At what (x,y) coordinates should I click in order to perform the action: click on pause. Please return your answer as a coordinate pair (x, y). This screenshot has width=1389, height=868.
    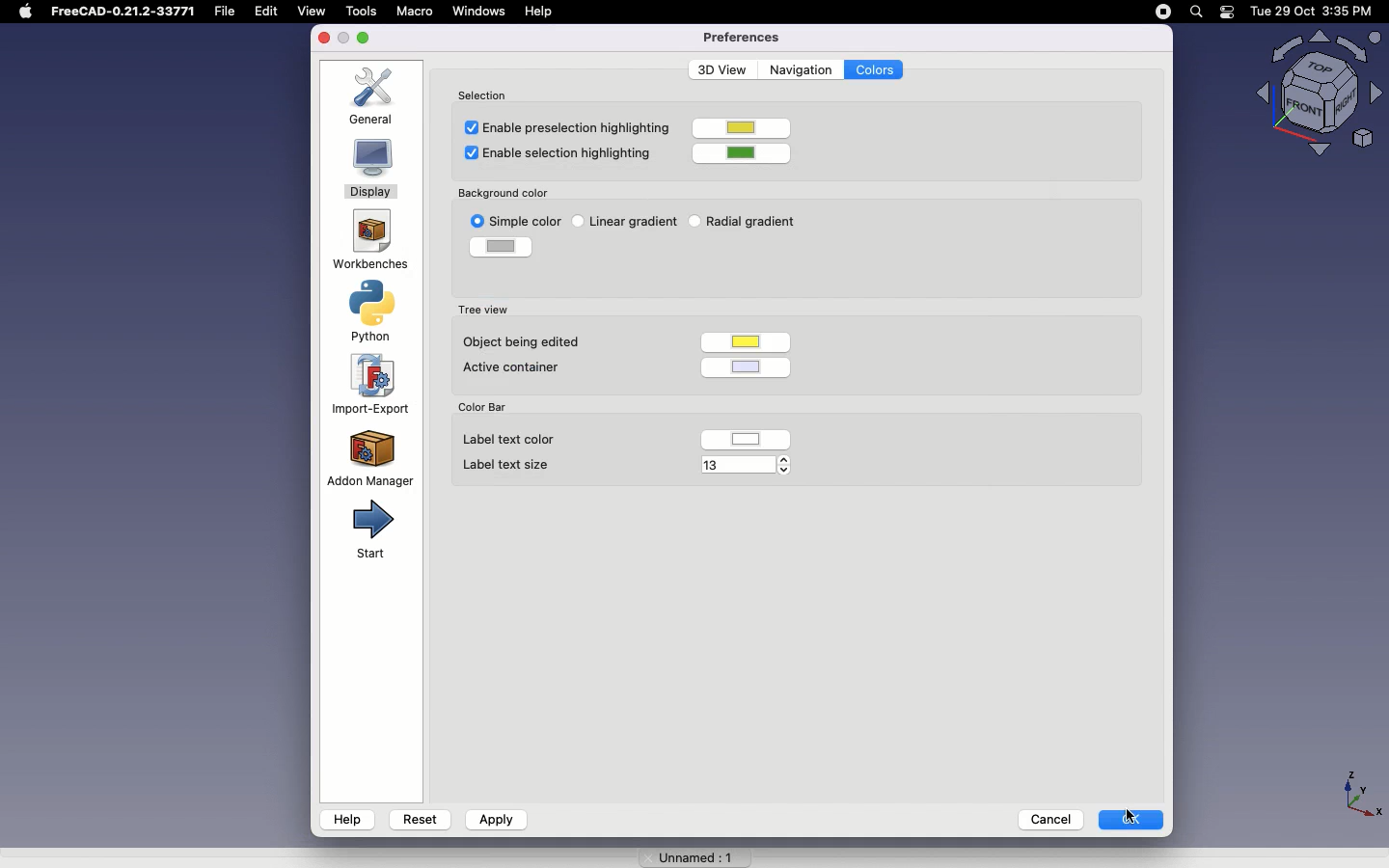
    Looking at the image, I should click on (1163, 12).